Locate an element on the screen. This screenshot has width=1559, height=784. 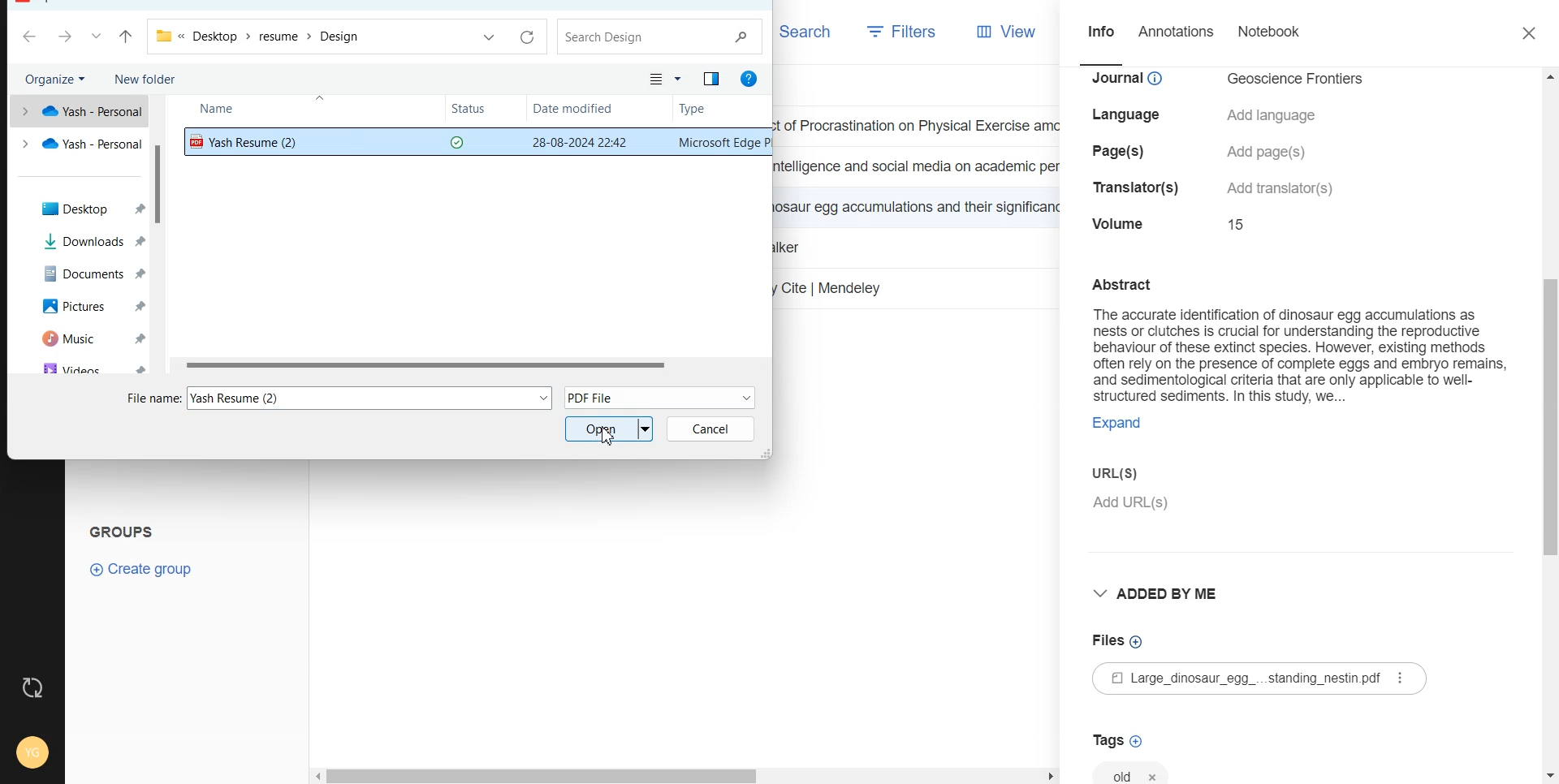
Account is located at coordinates (30, 749).